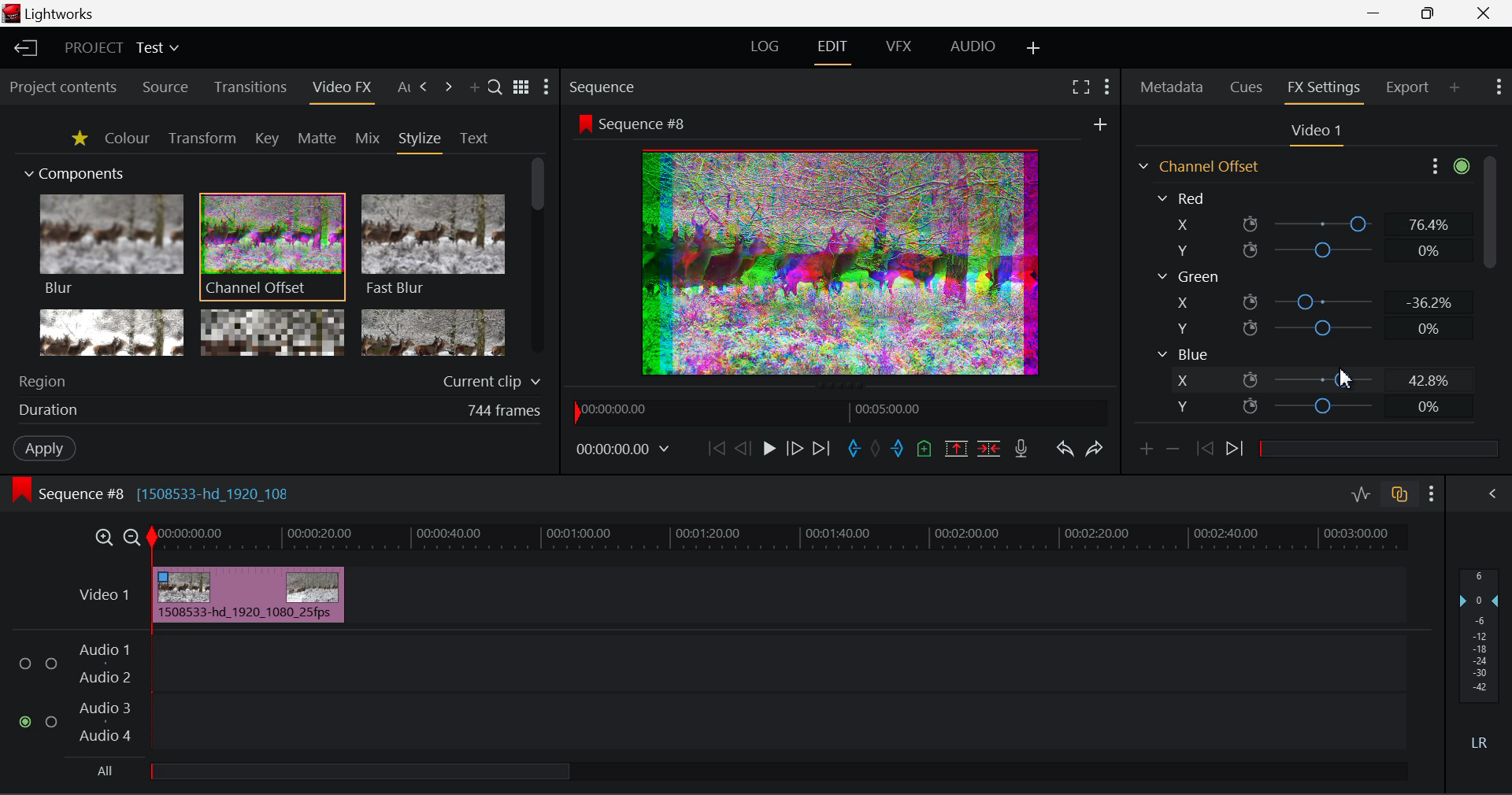 The image size is (1512, 795). What do you see at coordinates (265, 139) in the screenshot?
I see `Key` at bounding box center [265, 139].